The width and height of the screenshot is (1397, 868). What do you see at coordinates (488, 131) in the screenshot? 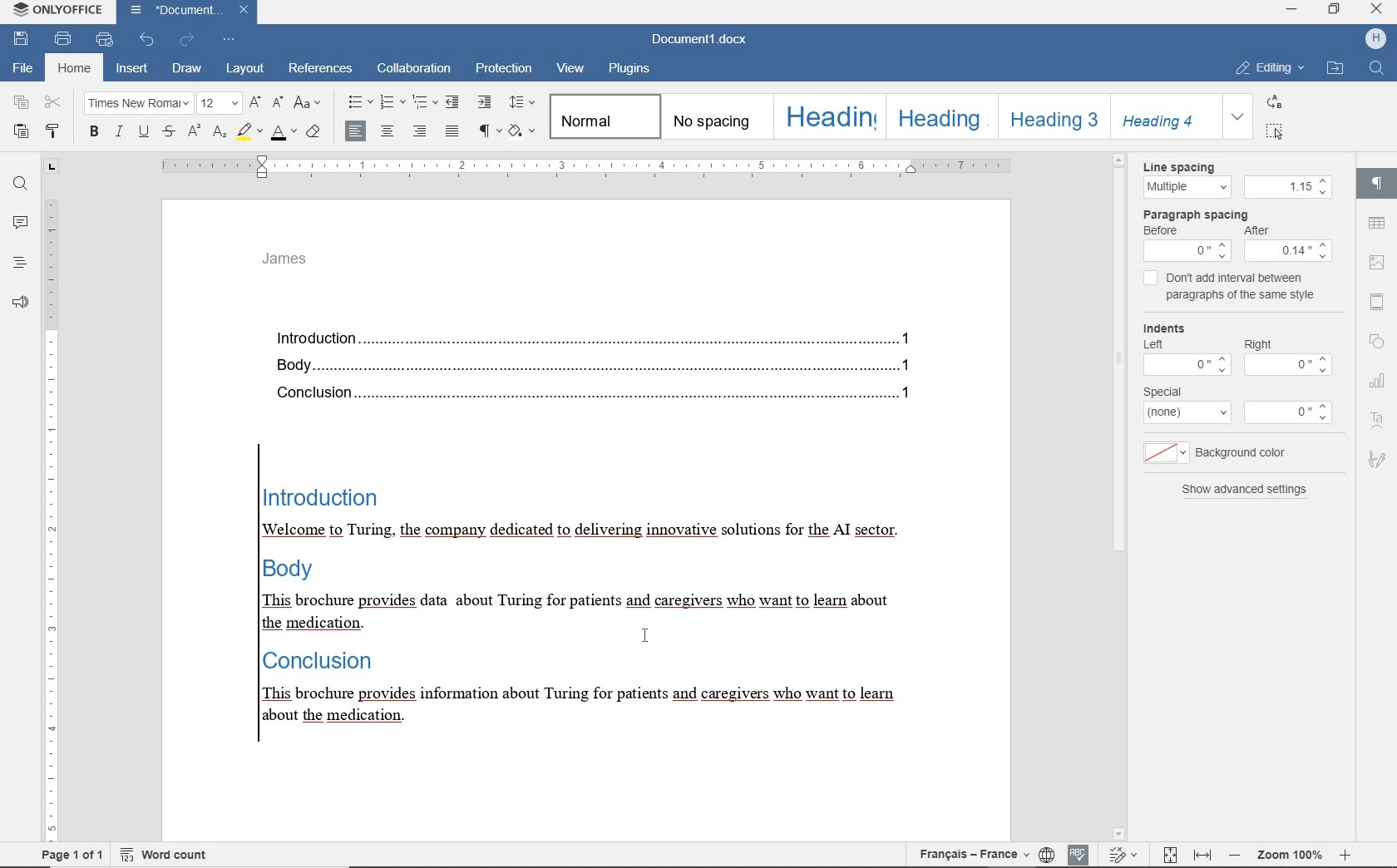
I see `nonprinting characters` at bounding box center [488, 131].